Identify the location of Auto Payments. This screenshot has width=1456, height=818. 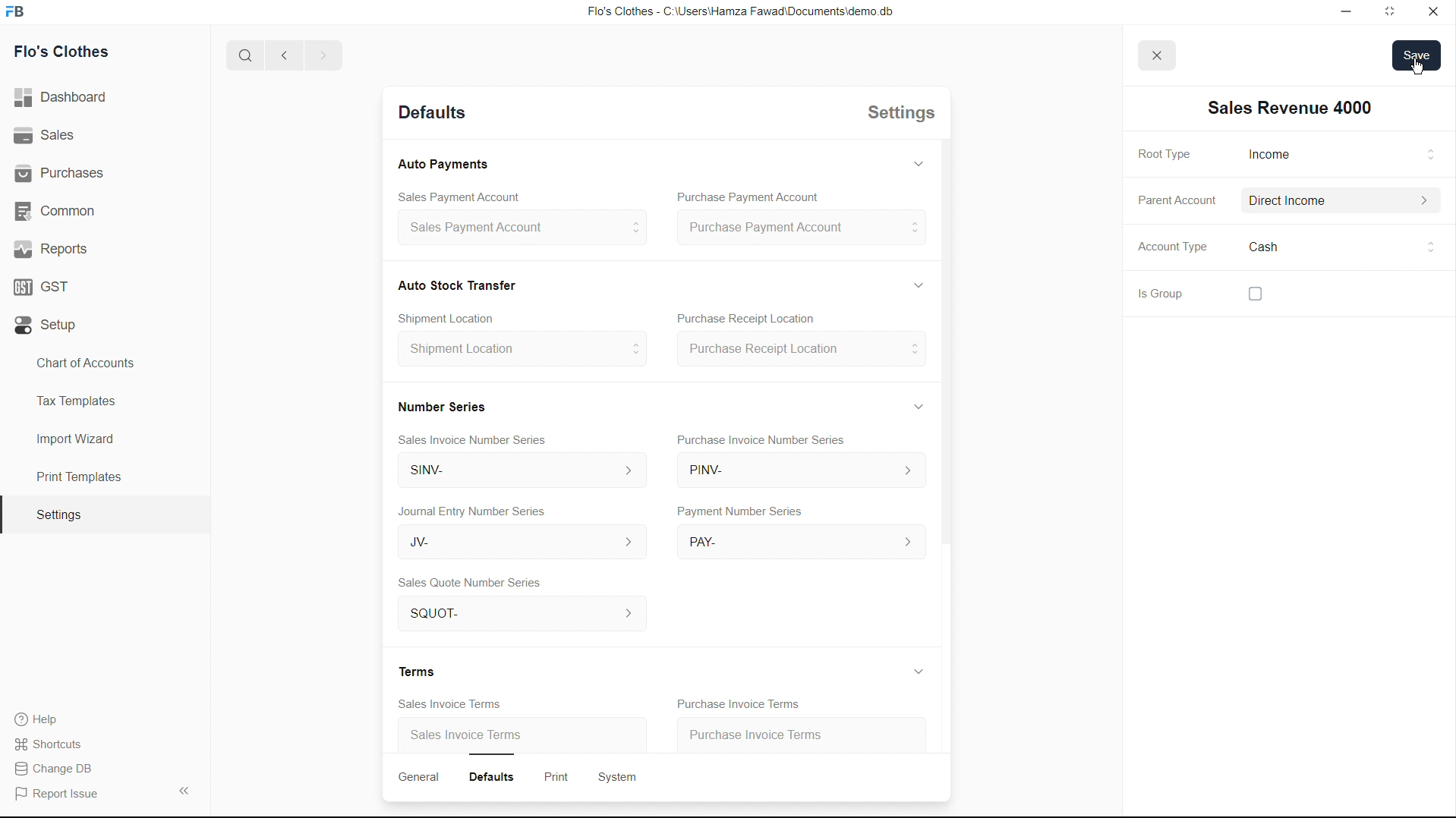
(443, 165).